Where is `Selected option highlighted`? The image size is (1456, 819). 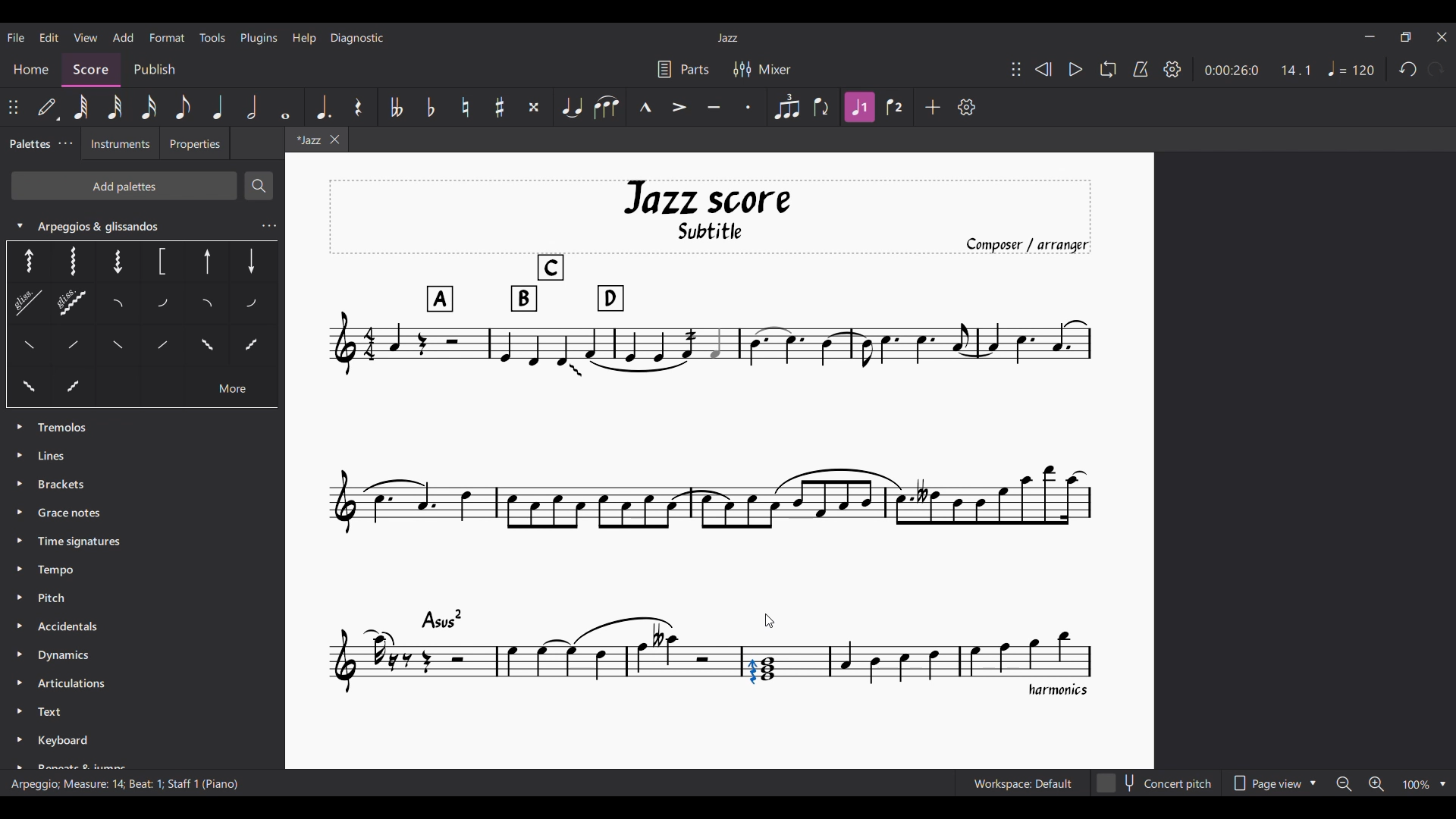
Selected option highlighted is located at coordinates (24, 262).